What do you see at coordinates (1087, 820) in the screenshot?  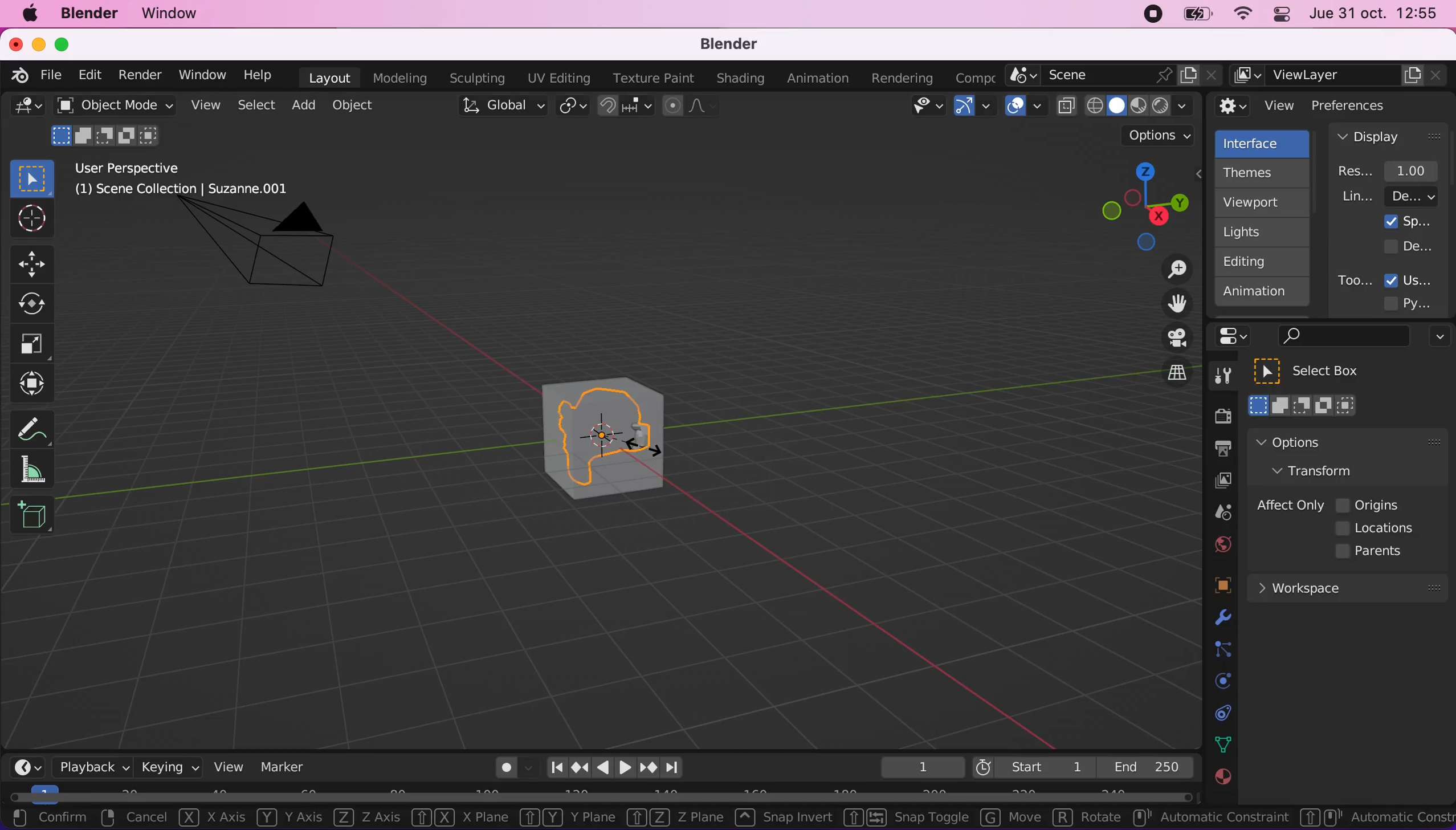 I see `rotate` at bounding box center [1087, 820].